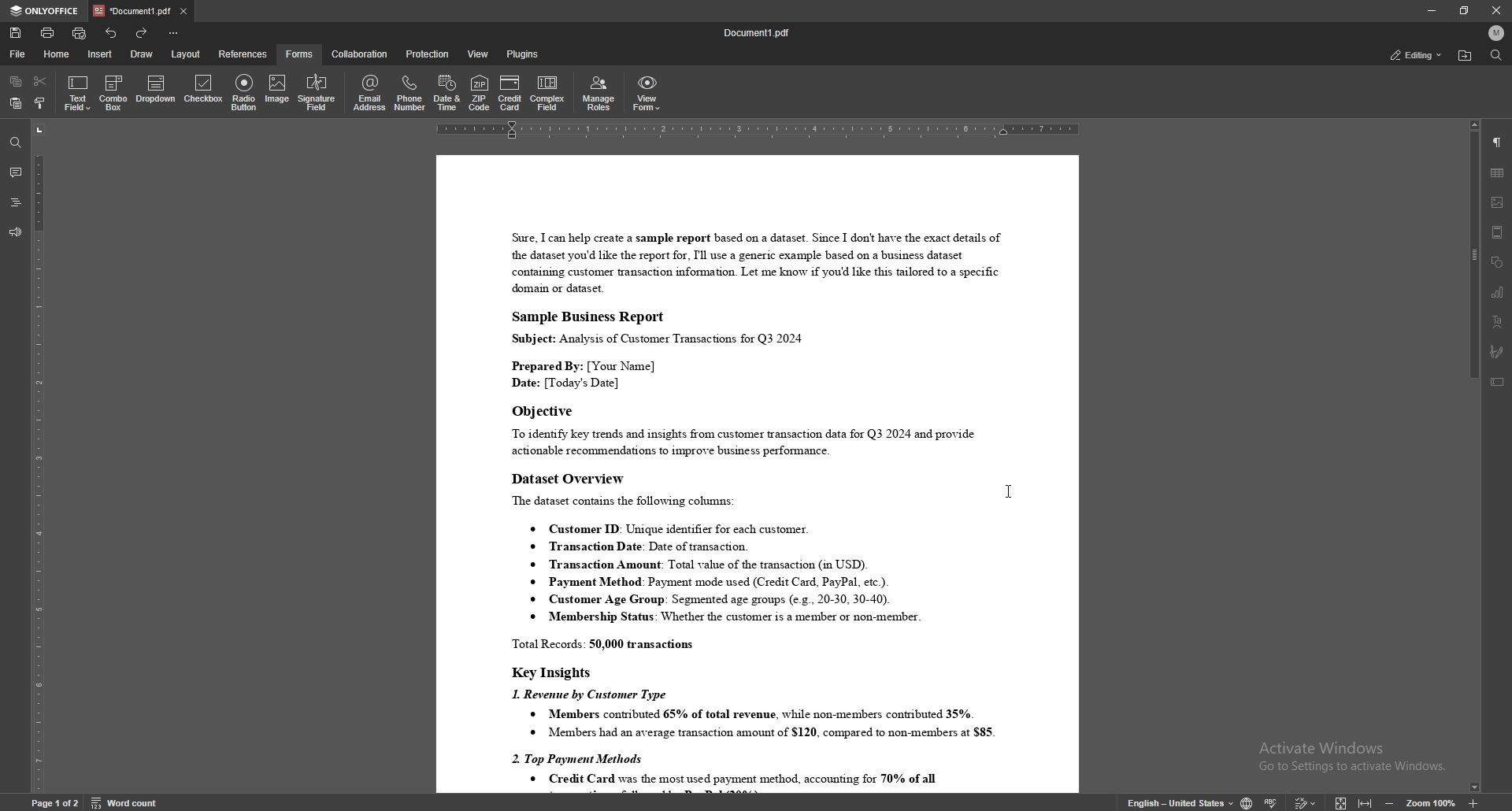  What do you see at coordinates (140, 33) in the screenshot?
I see `redo` at bounding box center [140, 33].